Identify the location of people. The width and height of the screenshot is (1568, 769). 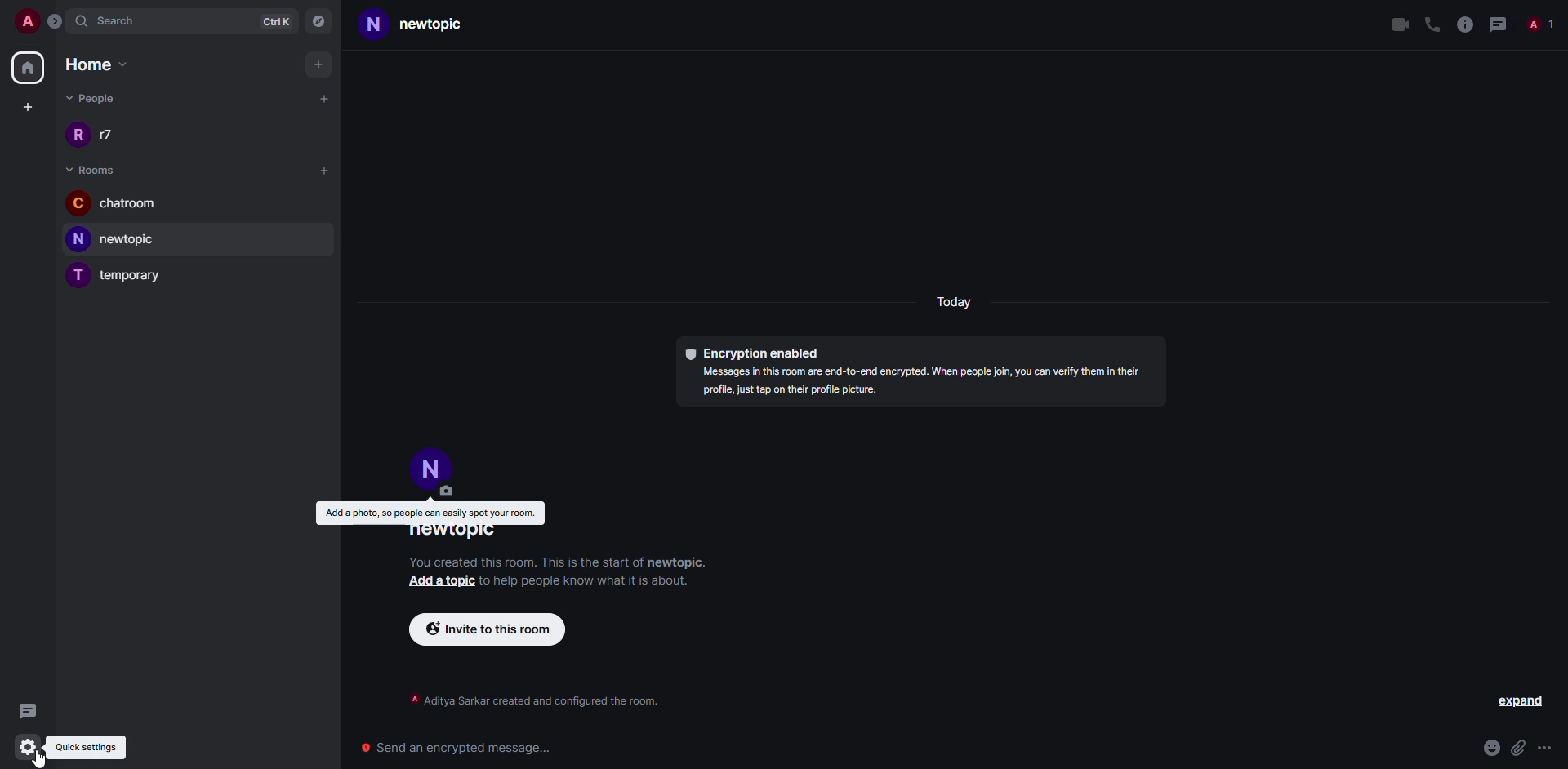
(1539, 24).